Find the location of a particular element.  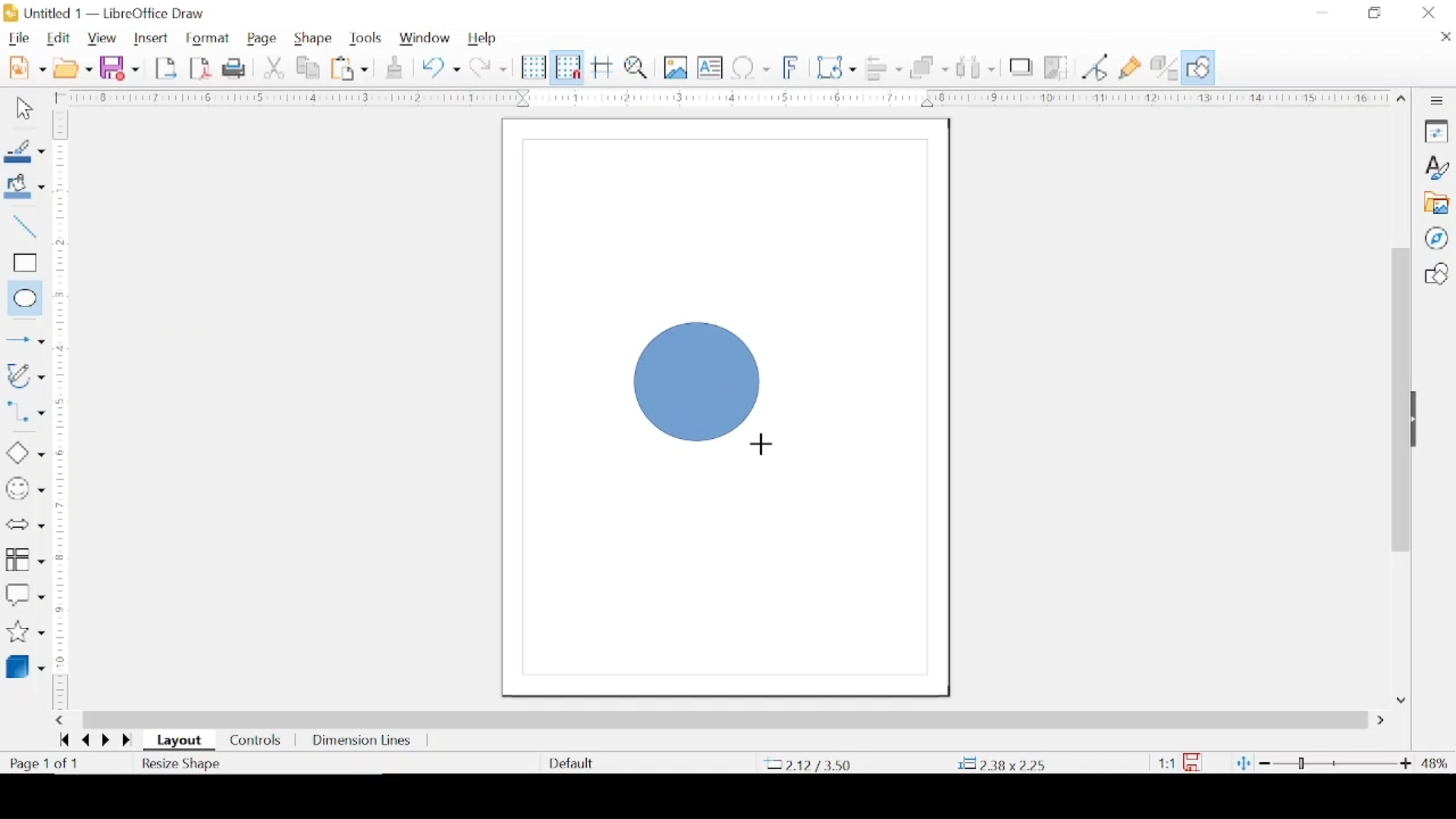

shapes is located at coordinates (1436, 274).